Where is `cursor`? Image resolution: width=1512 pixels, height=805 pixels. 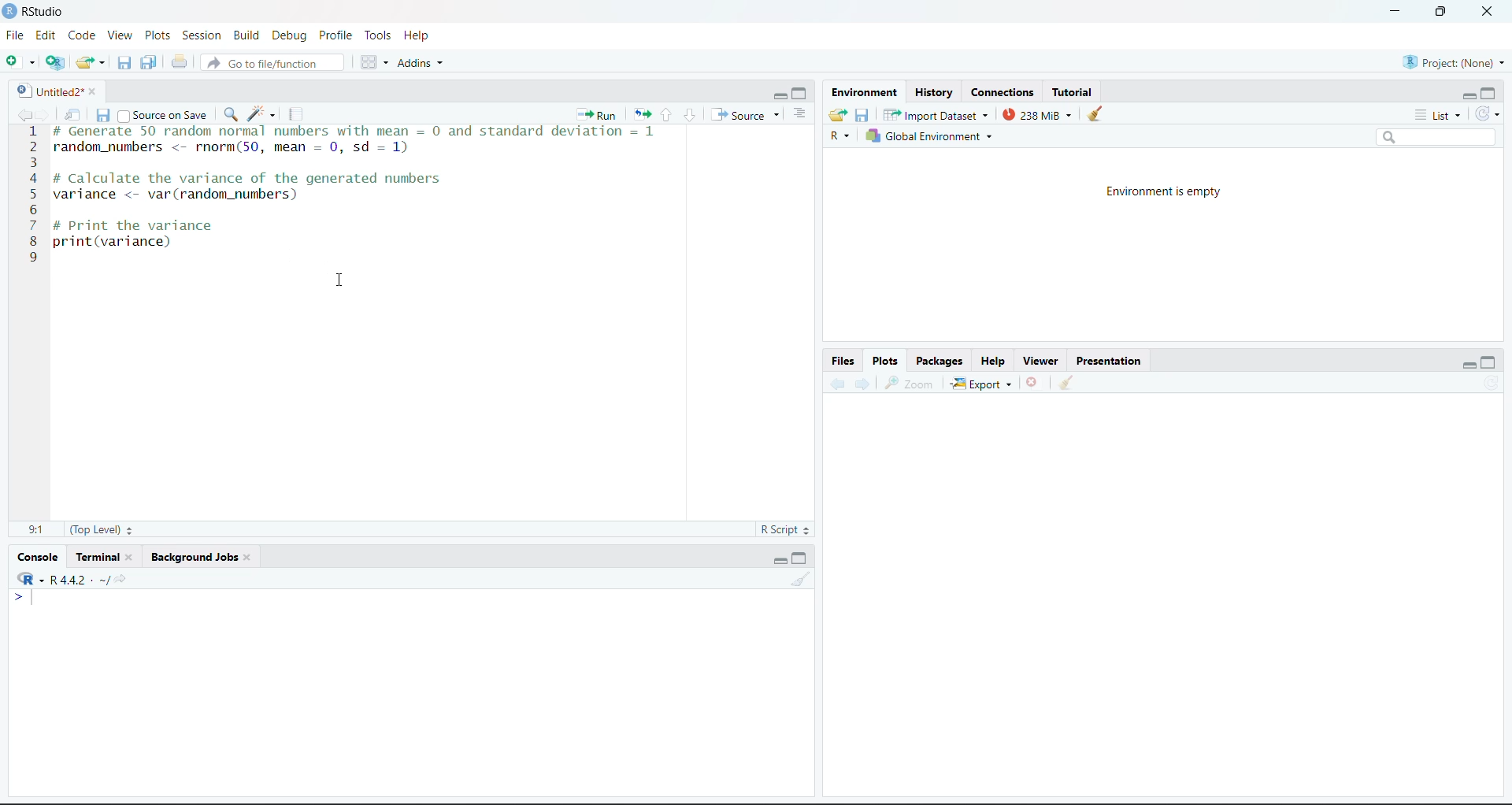
cursor is located at coordinates (342, 280).